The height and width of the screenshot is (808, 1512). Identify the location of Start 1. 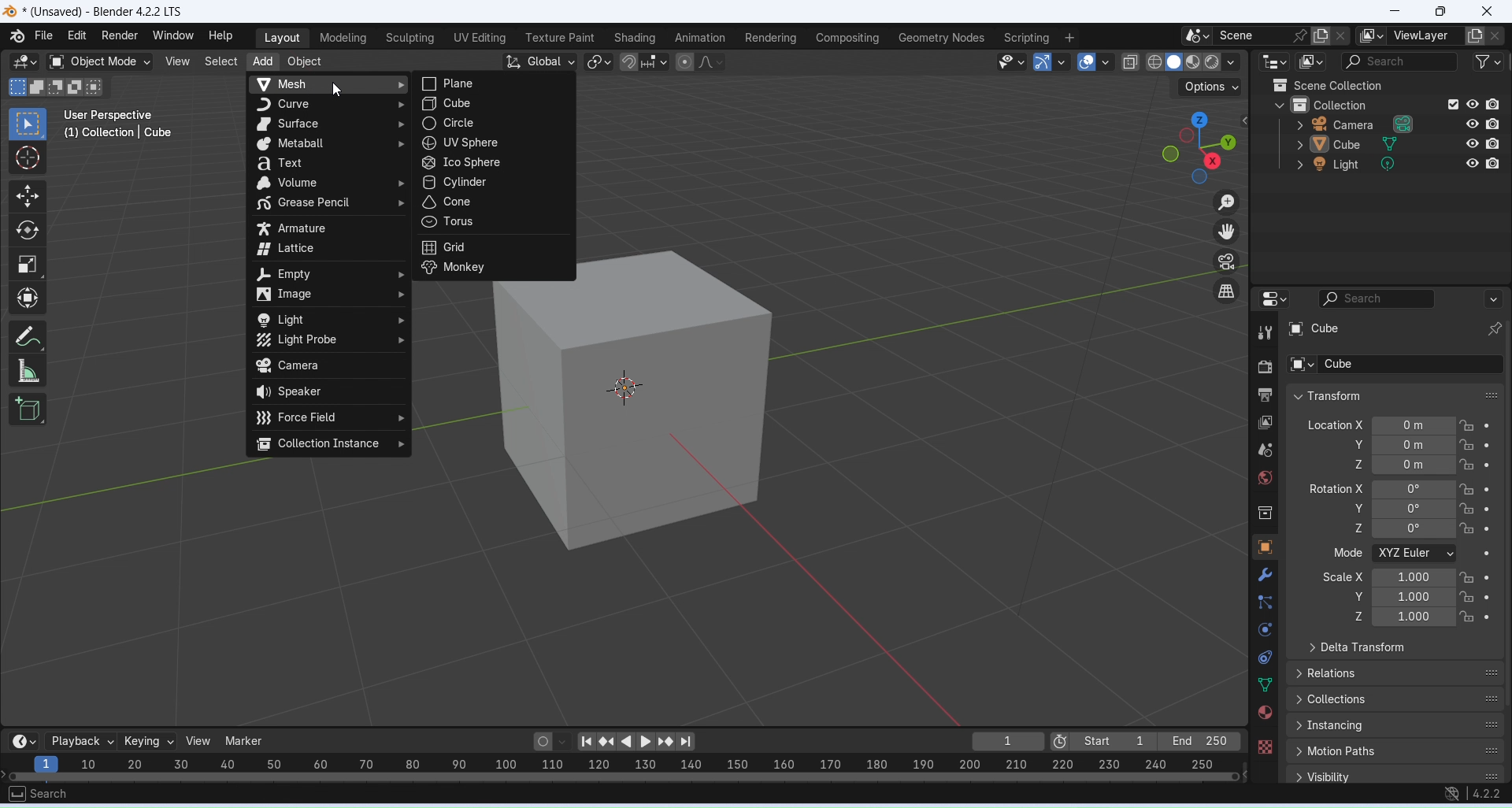
(1115, 742).